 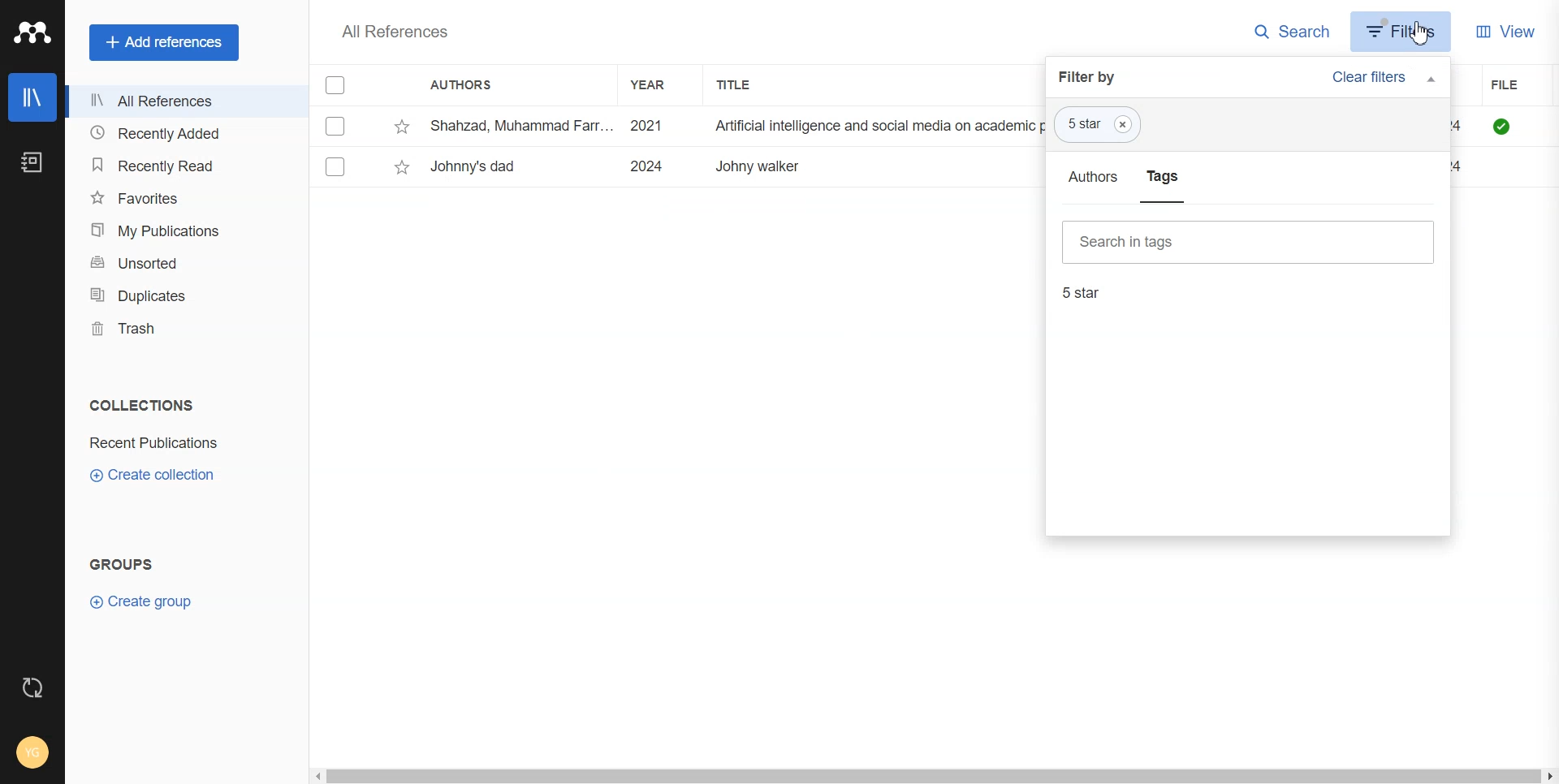 What do you see at coordinates (402, 167) in the screenshot?
I see `star` at bounding box center [402, 167].